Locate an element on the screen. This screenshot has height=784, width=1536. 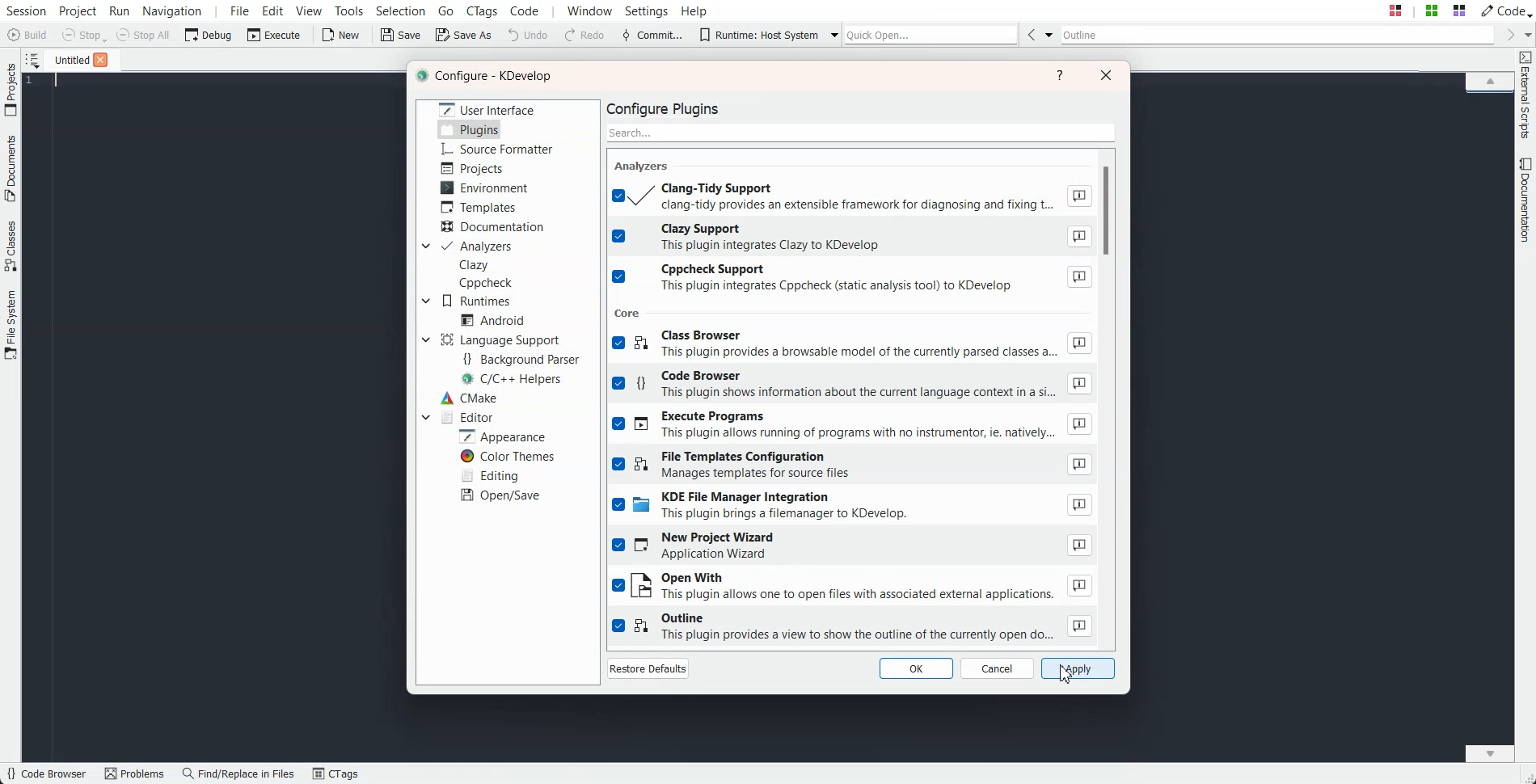
Problems is located at coordinates (134, 774).